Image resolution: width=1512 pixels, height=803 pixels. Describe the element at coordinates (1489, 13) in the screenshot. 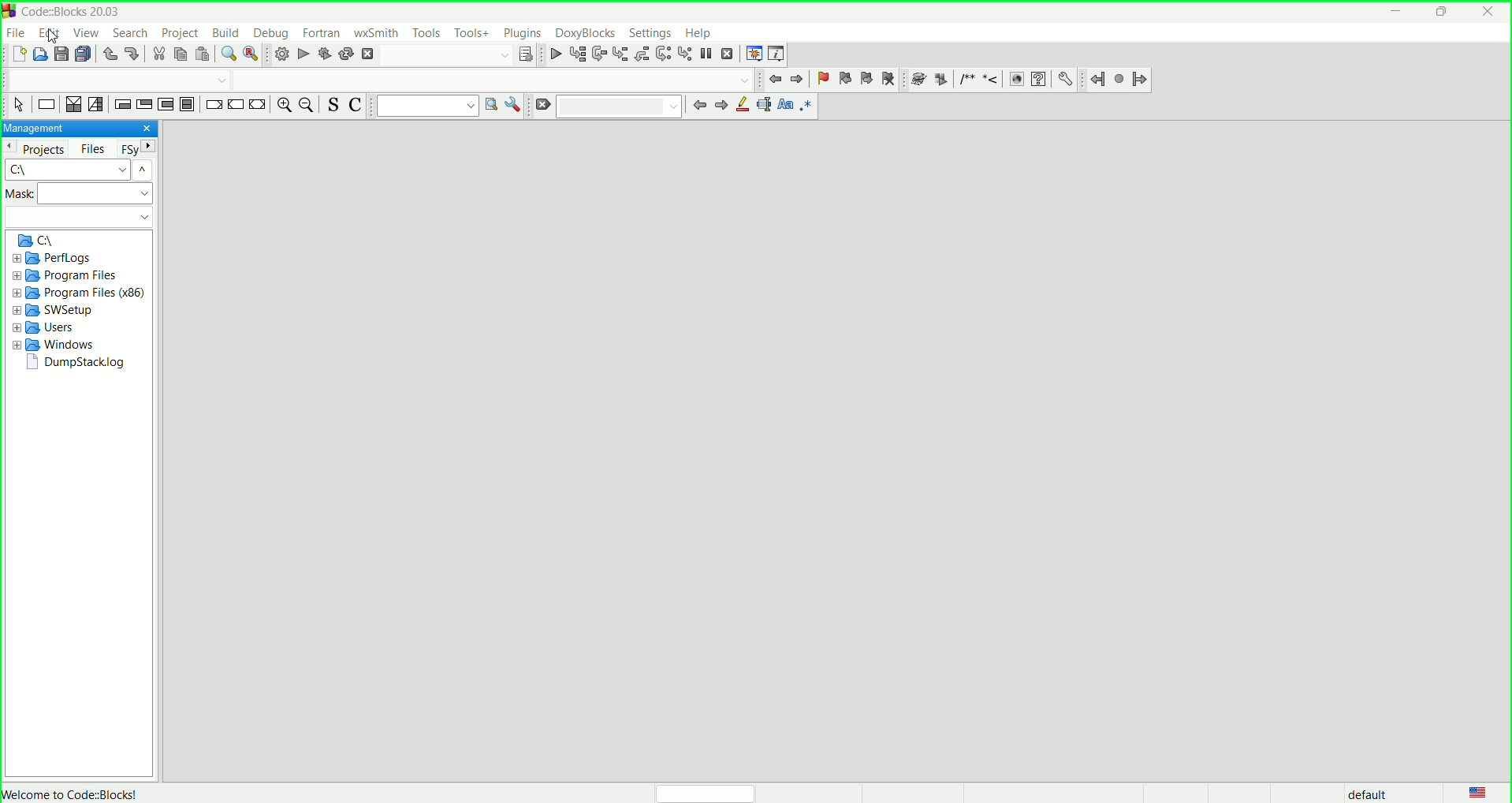

I see `close` at that location.